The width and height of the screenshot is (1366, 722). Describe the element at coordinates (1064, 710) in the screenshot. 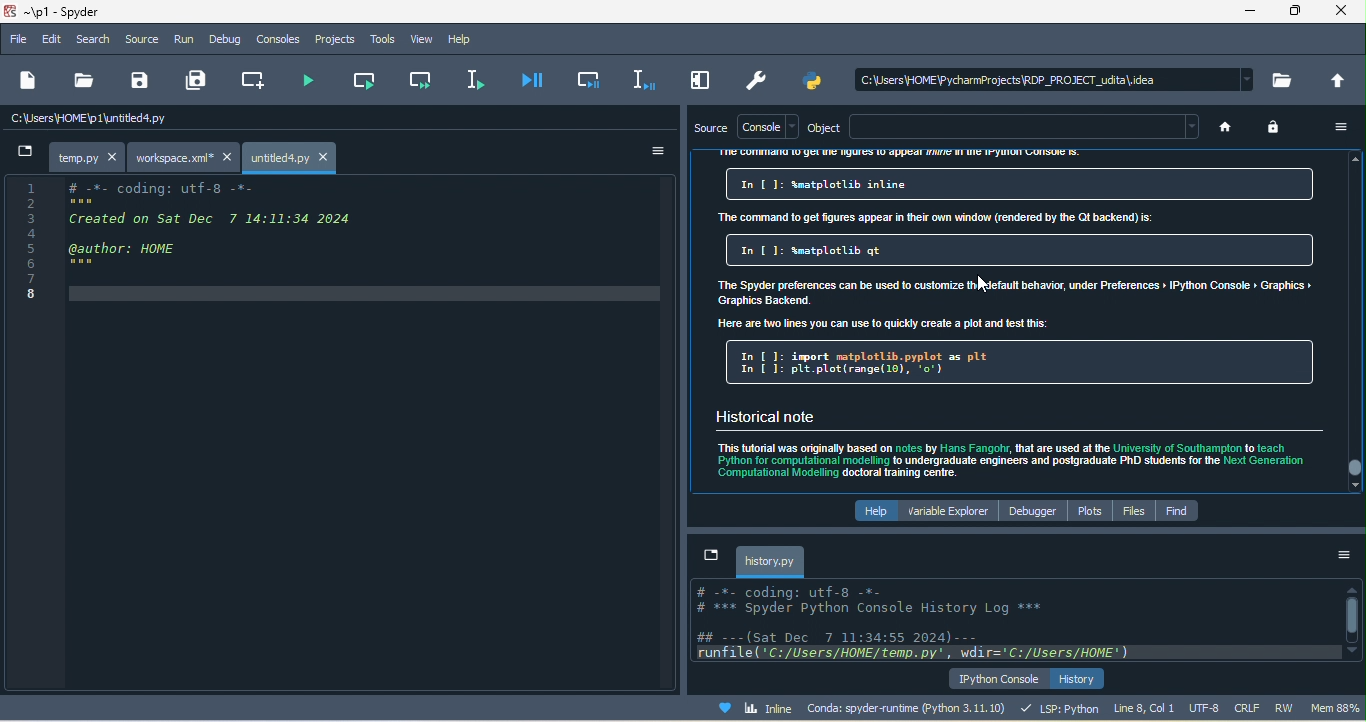

I see `lsp python` at that location.